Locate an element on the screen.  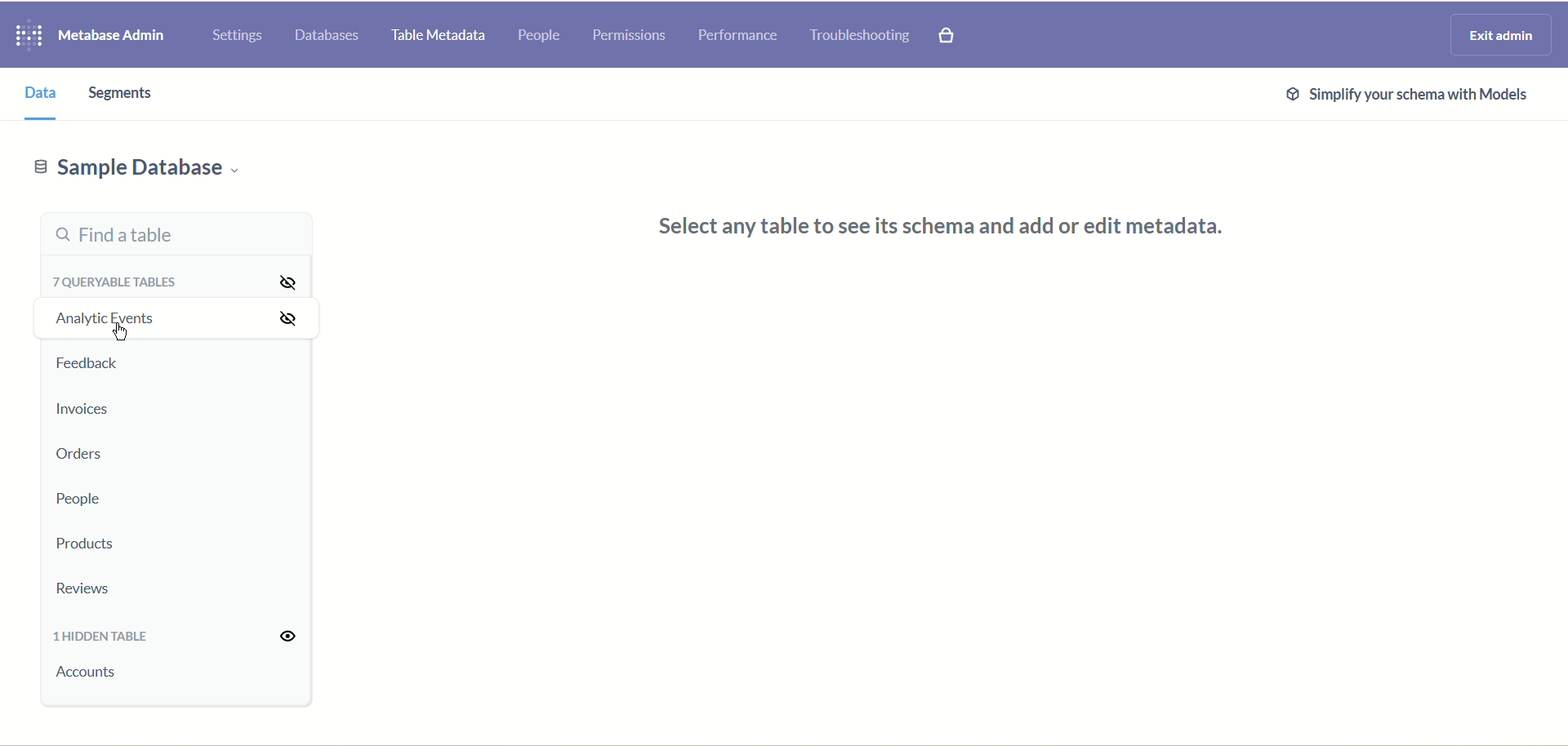
invoices is located at coordinates (82, 409).